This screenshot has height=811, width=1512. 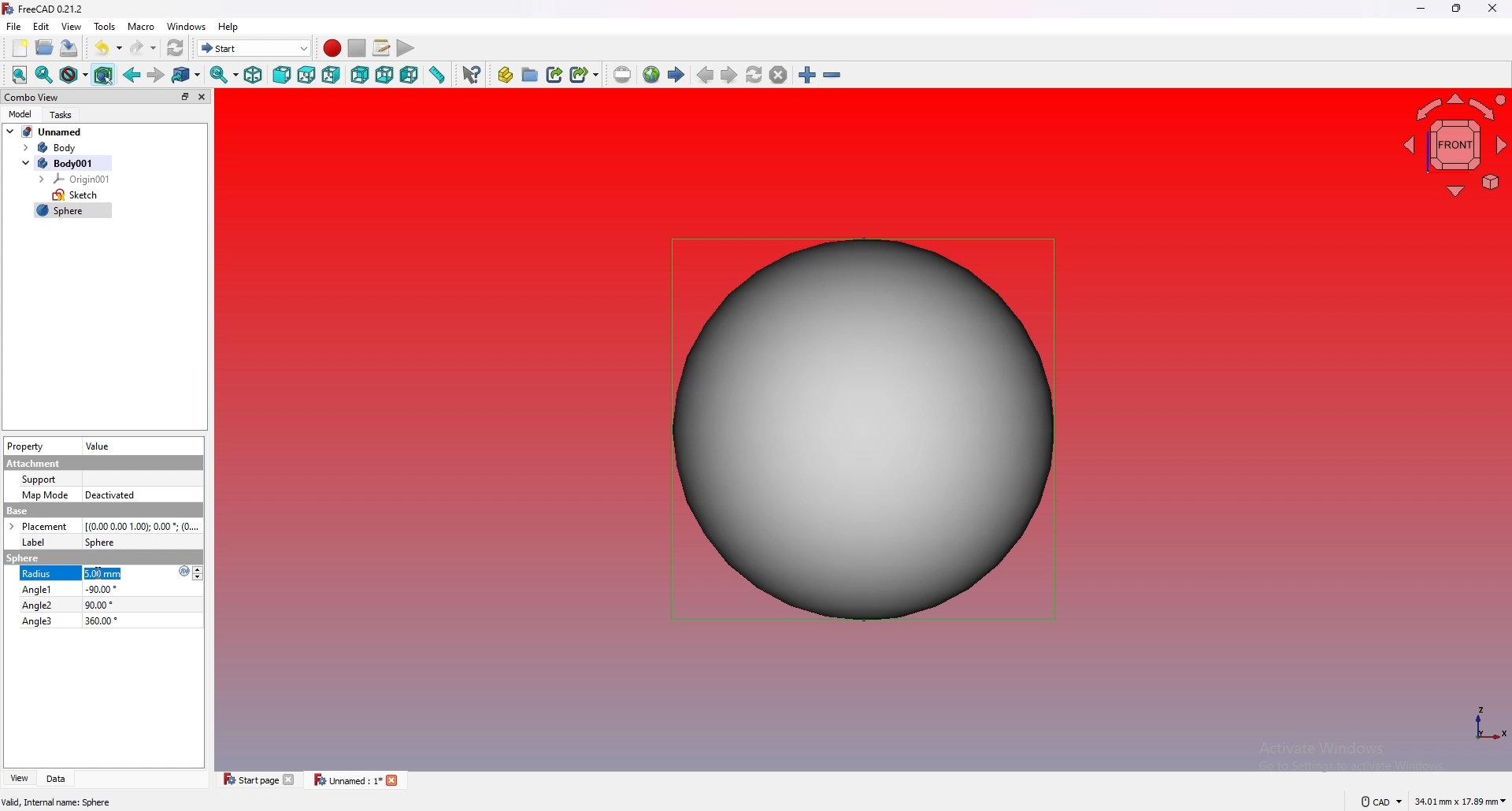 I want to click on body001, so click(x=64, y=163).